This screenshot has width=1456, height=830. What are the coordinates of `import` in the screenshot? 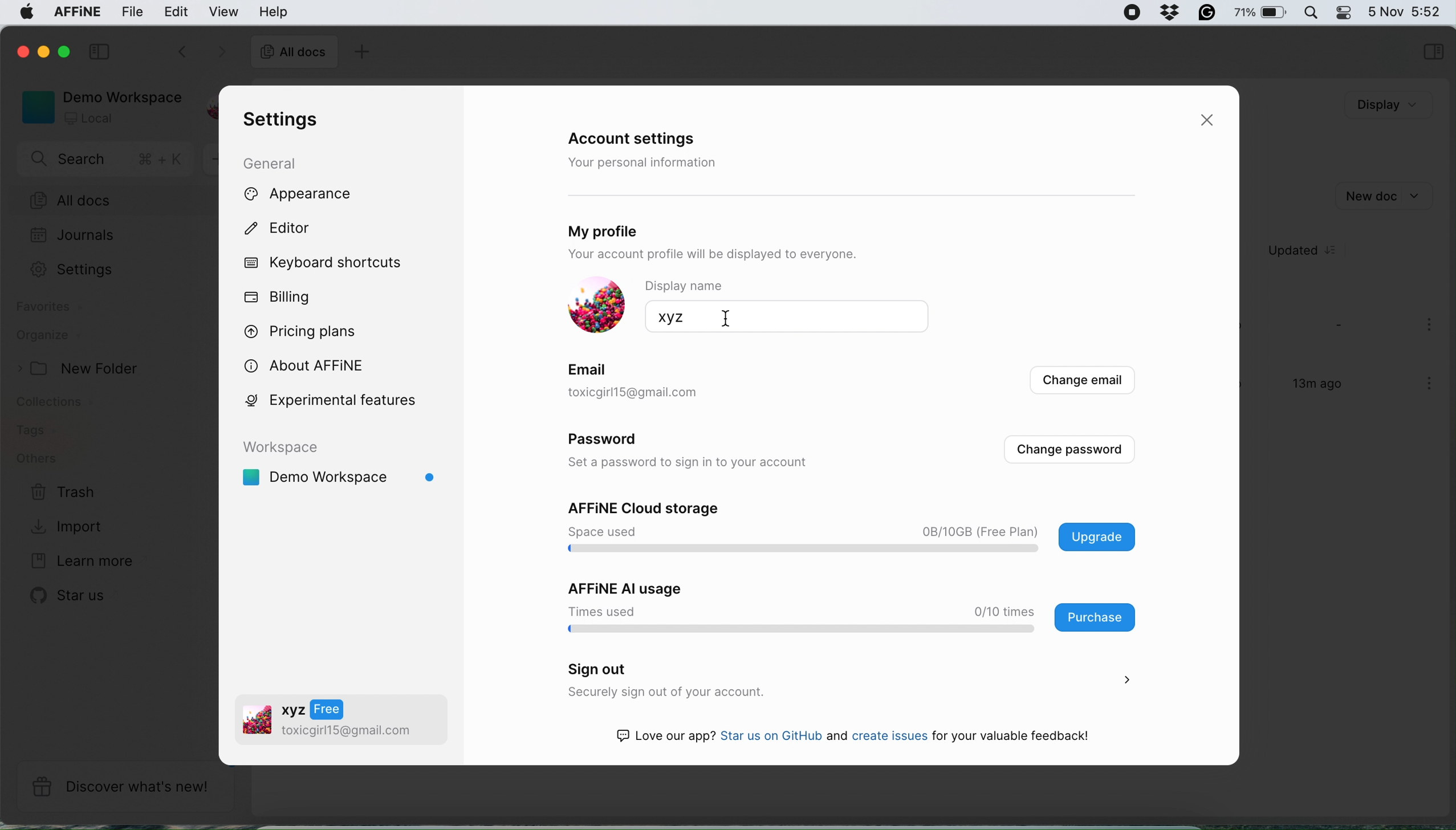 It's located at (70, 525).